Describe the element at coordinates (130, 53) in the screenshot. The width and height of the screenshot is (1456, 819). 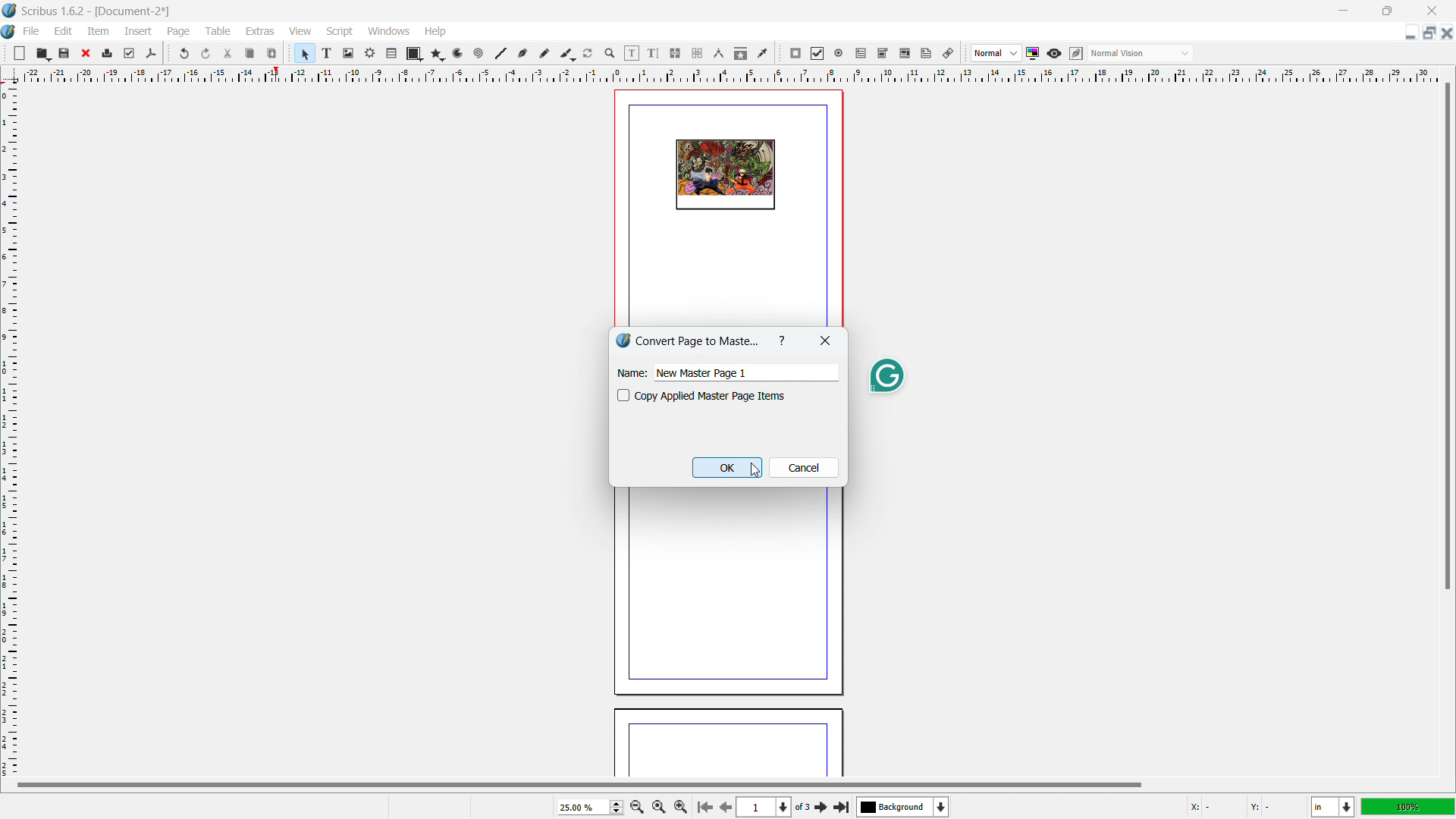
I see `preflight checkbox` at that location.